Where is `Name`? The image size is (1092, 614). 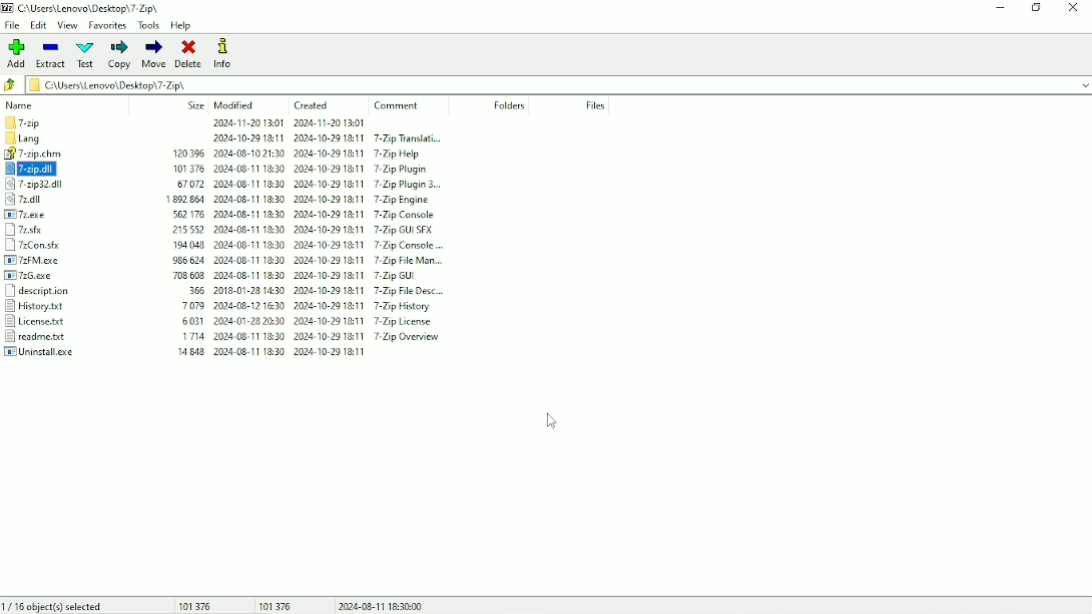
Name is located at coordinates (21, 105).